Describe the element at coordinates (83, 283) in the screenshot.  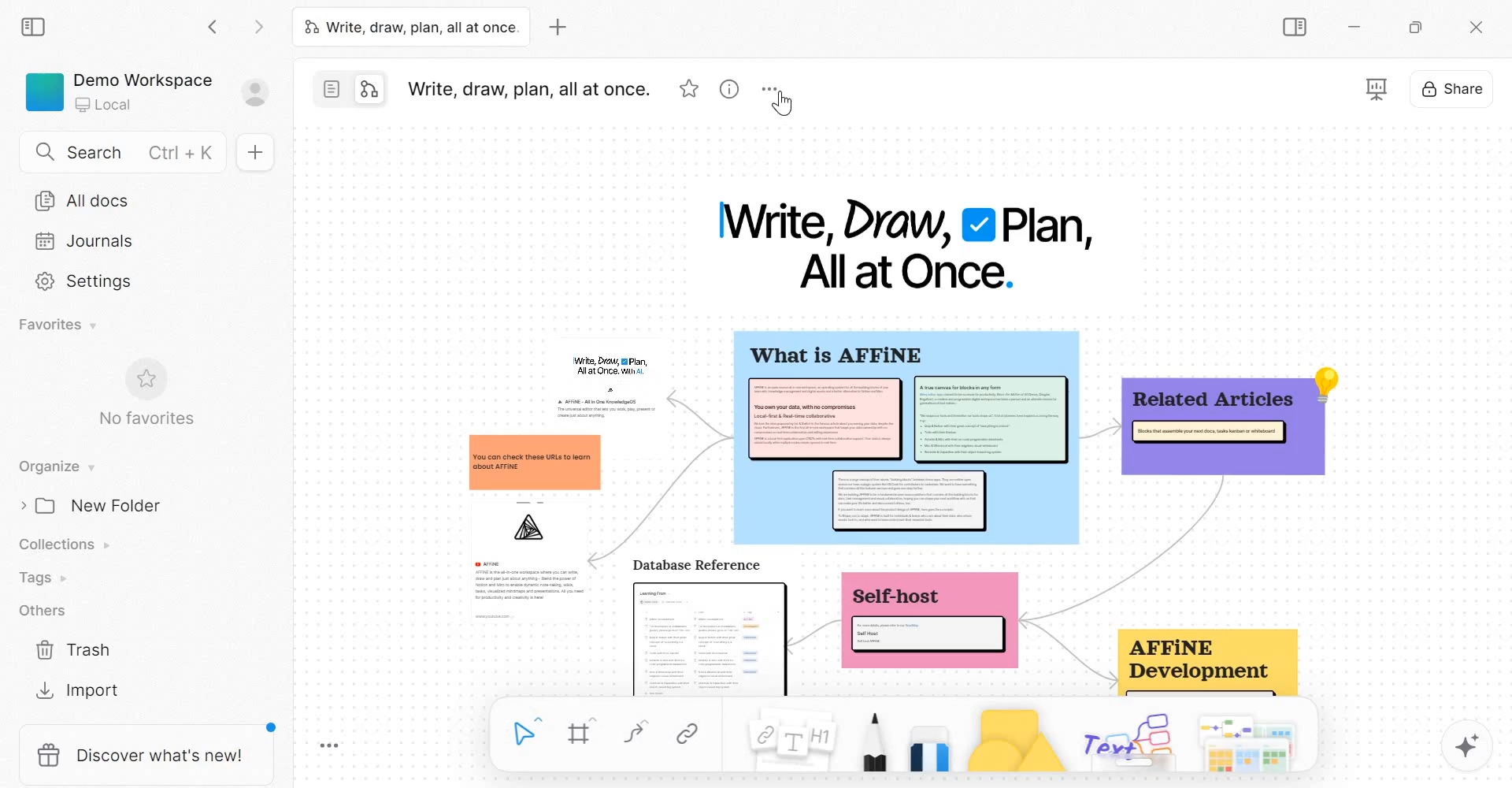
I see `Settings` at that location.